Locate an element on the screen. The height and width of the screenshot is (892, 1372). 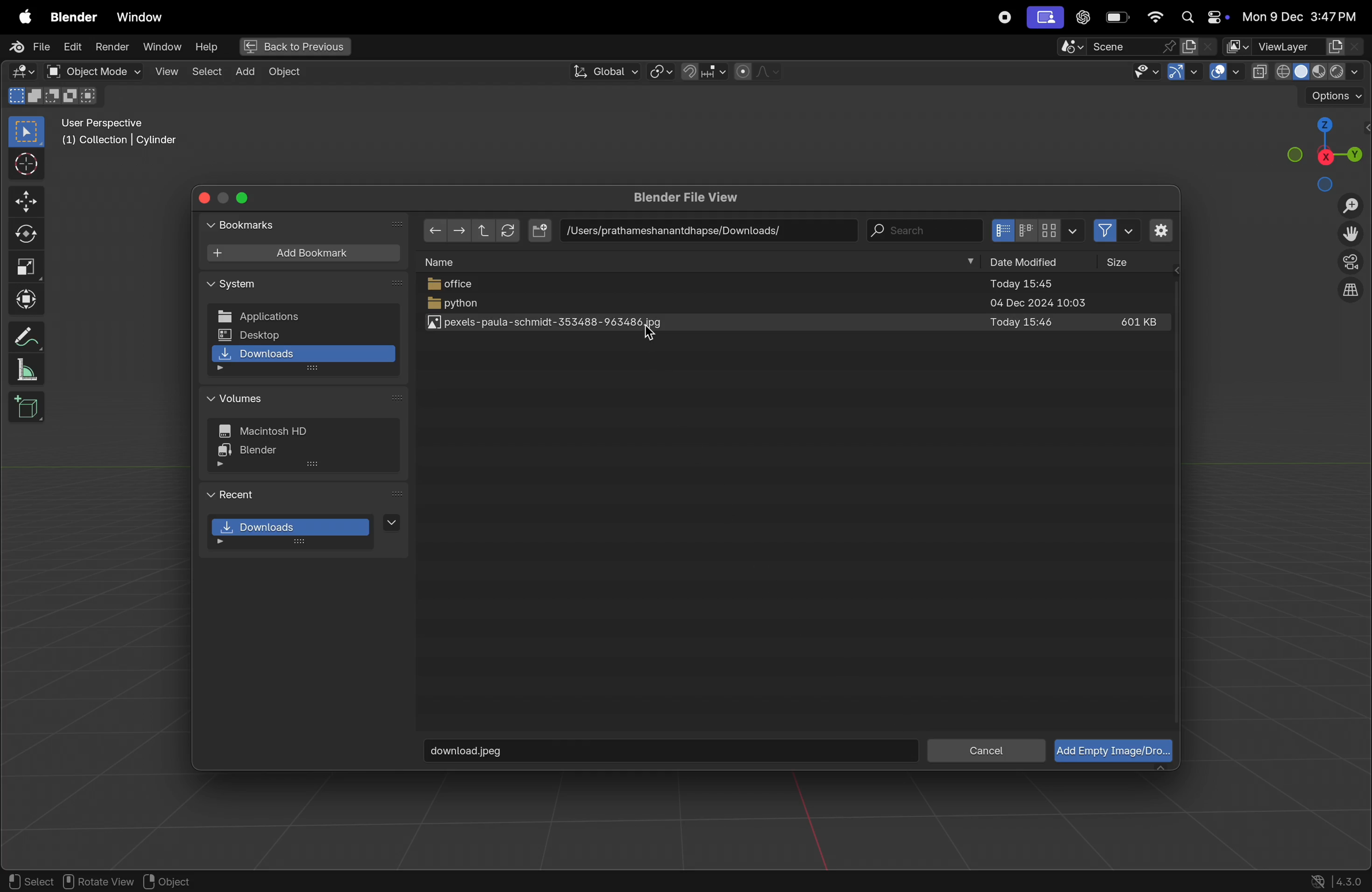
help is located at coordinates (206, 46).